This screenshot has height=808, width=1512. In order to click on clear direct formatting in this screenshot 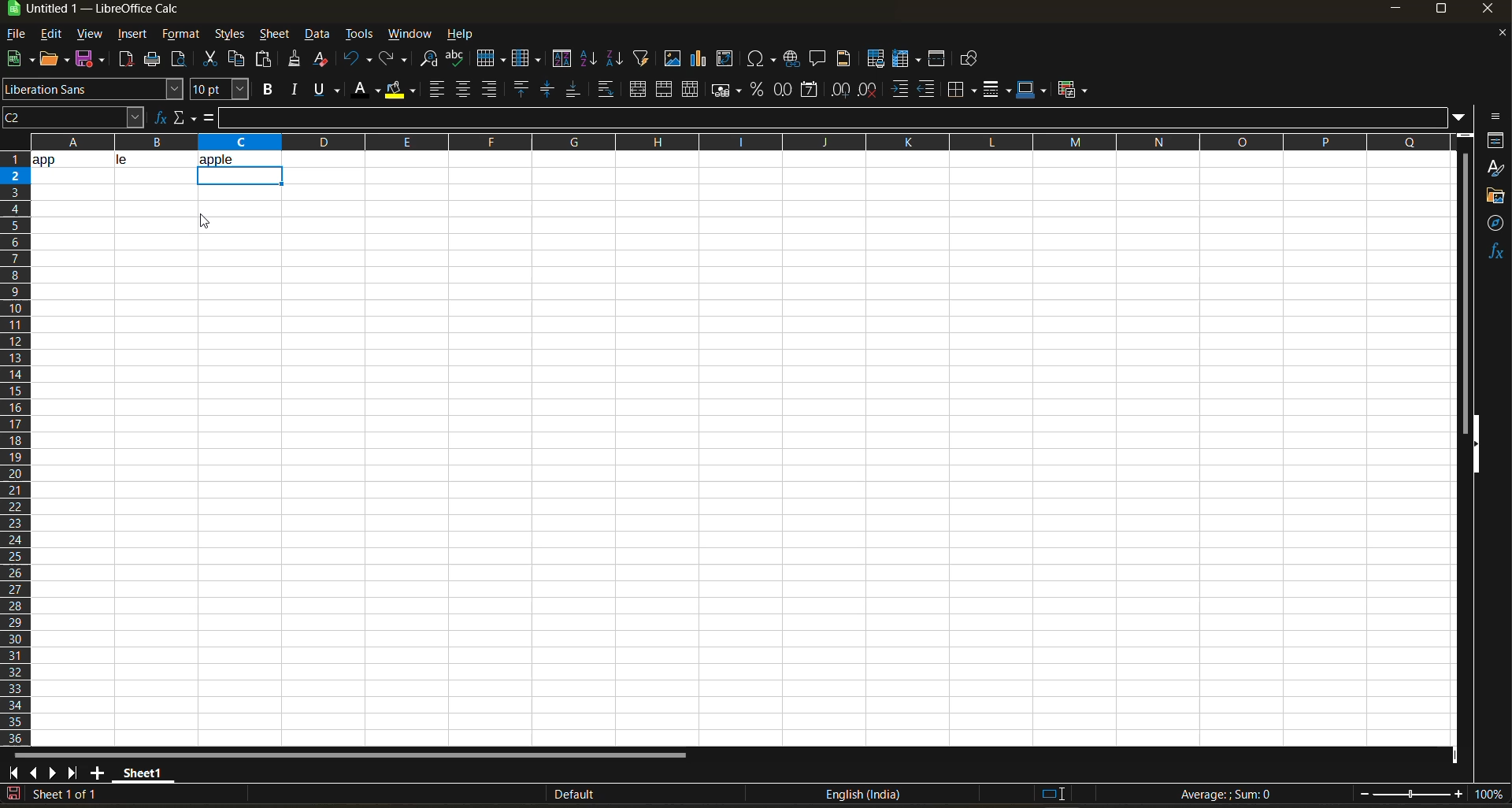, I will do `click(324, 58)`.